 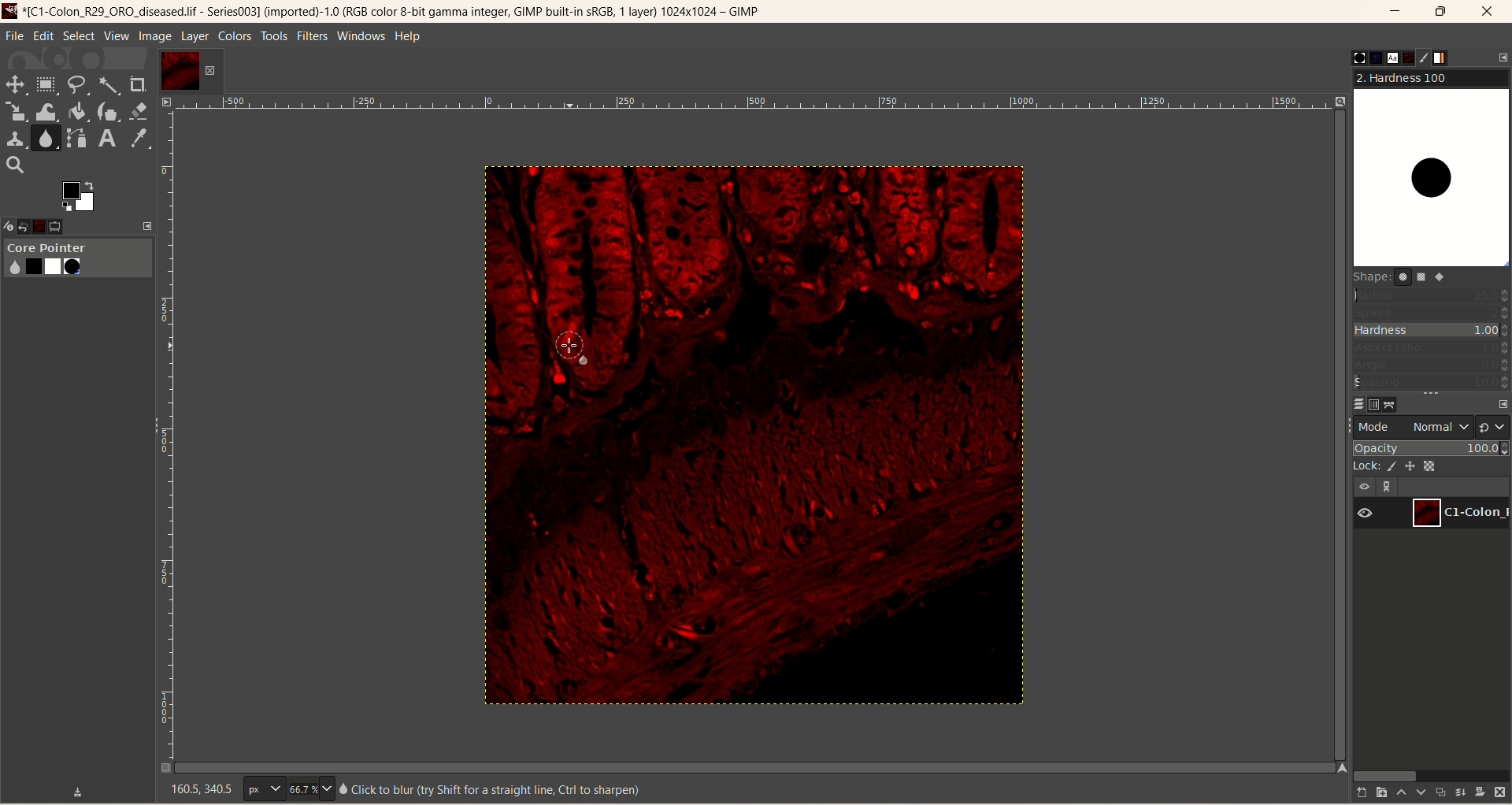 I want to click on filters, so click(x=310, y=35).